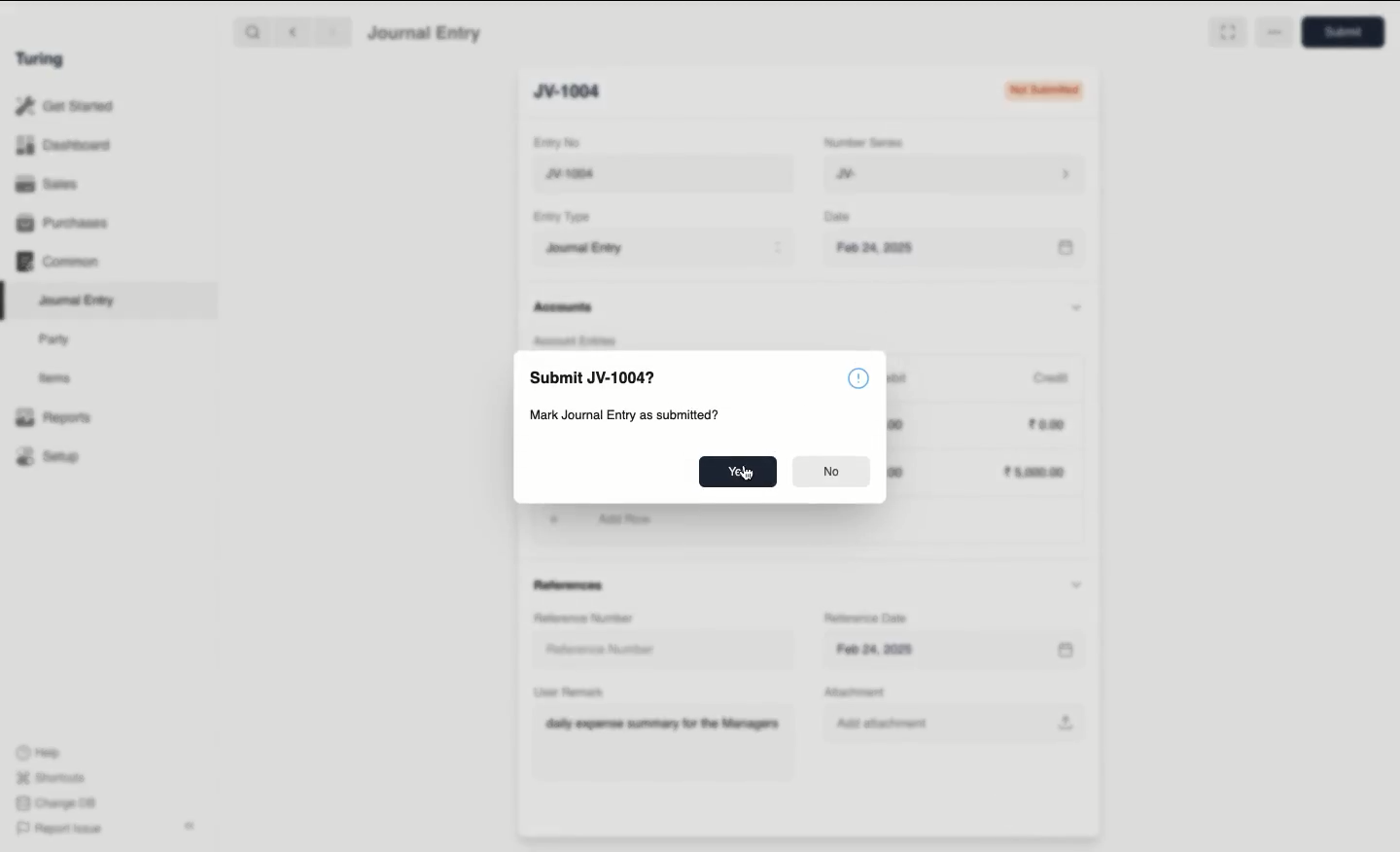  Describe the element at coordinates (426, 34) in the screenshot. I see `Journal Entry` at that location.